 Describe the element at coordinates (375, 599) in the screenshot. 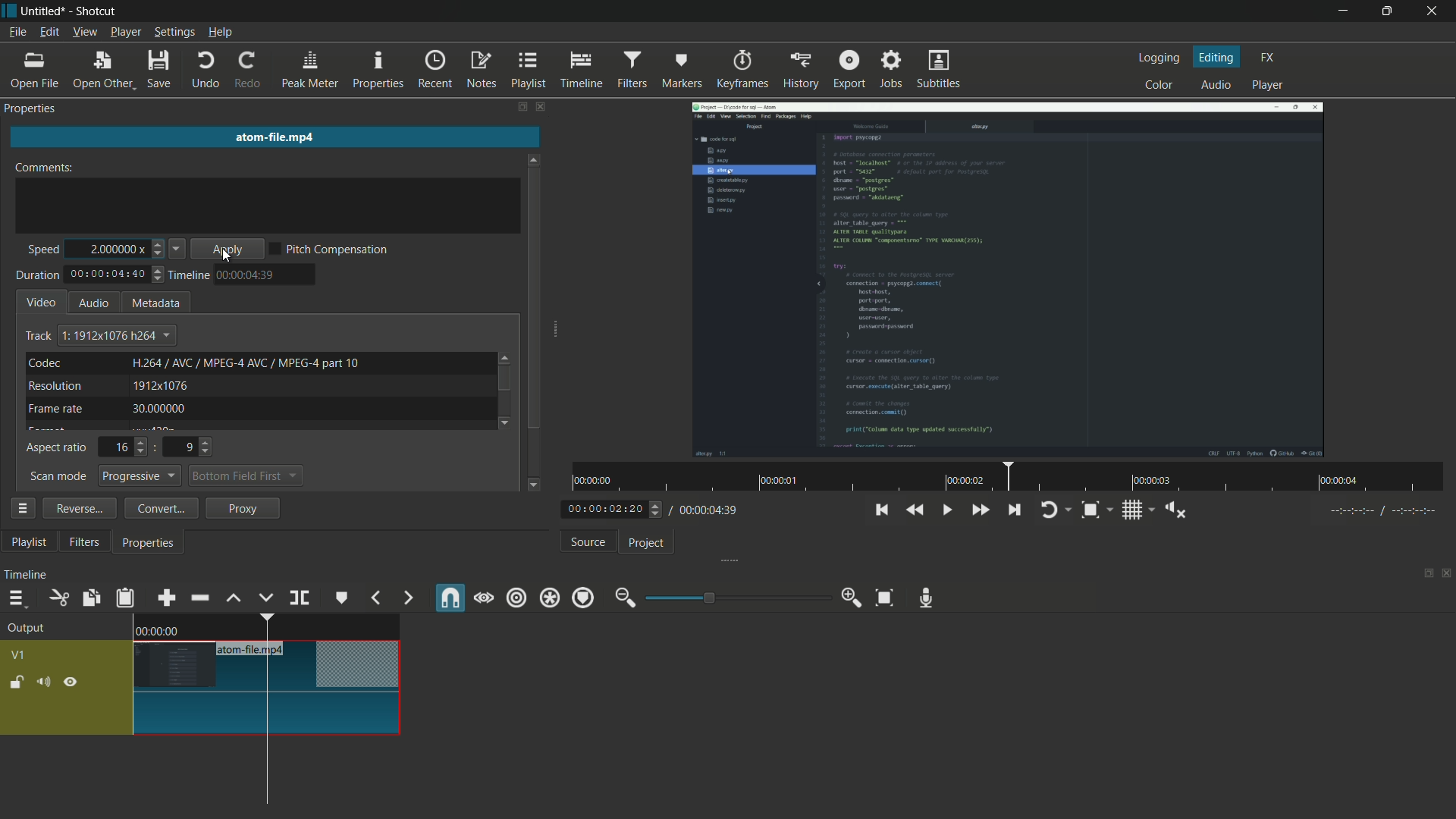

I see `previous marker` at that location.